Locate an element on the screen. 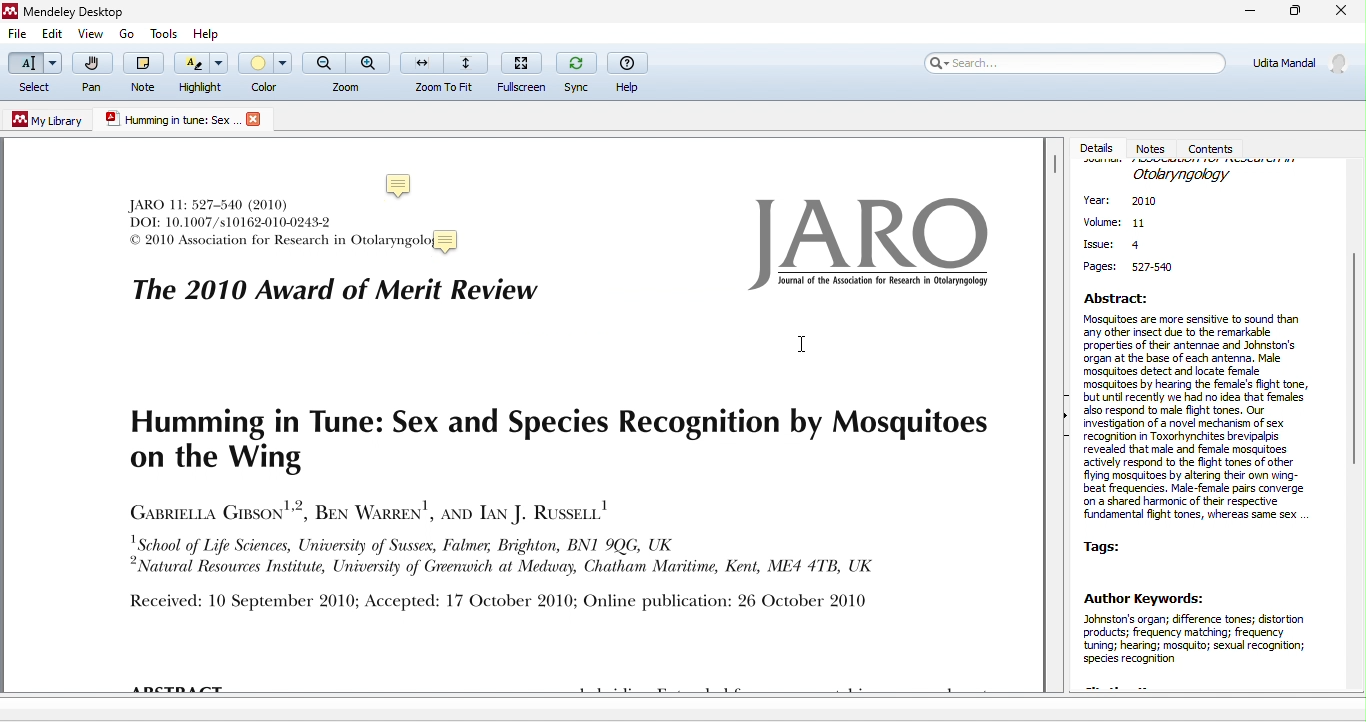 The width and height of the screenshot is (1366, 722). note is located at coordinates (140, 71).